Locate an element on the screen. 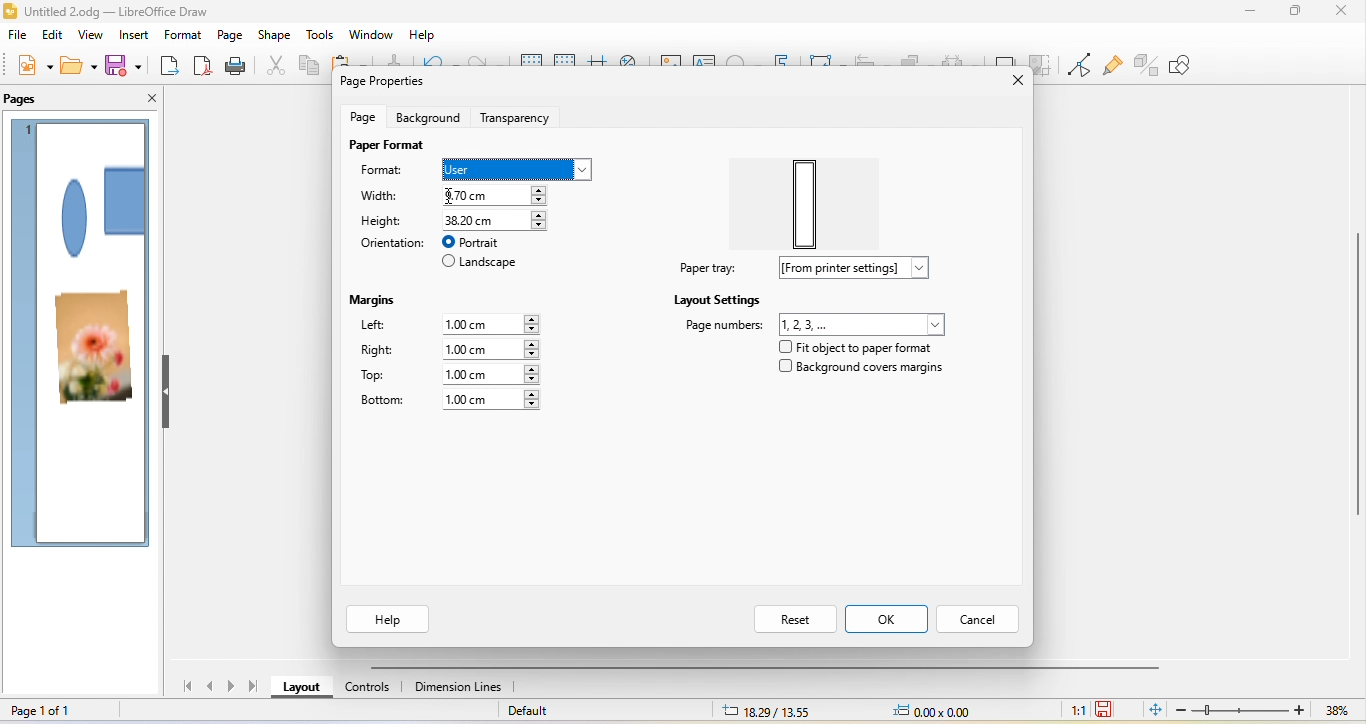  last page is located at coordinates (255, 688).